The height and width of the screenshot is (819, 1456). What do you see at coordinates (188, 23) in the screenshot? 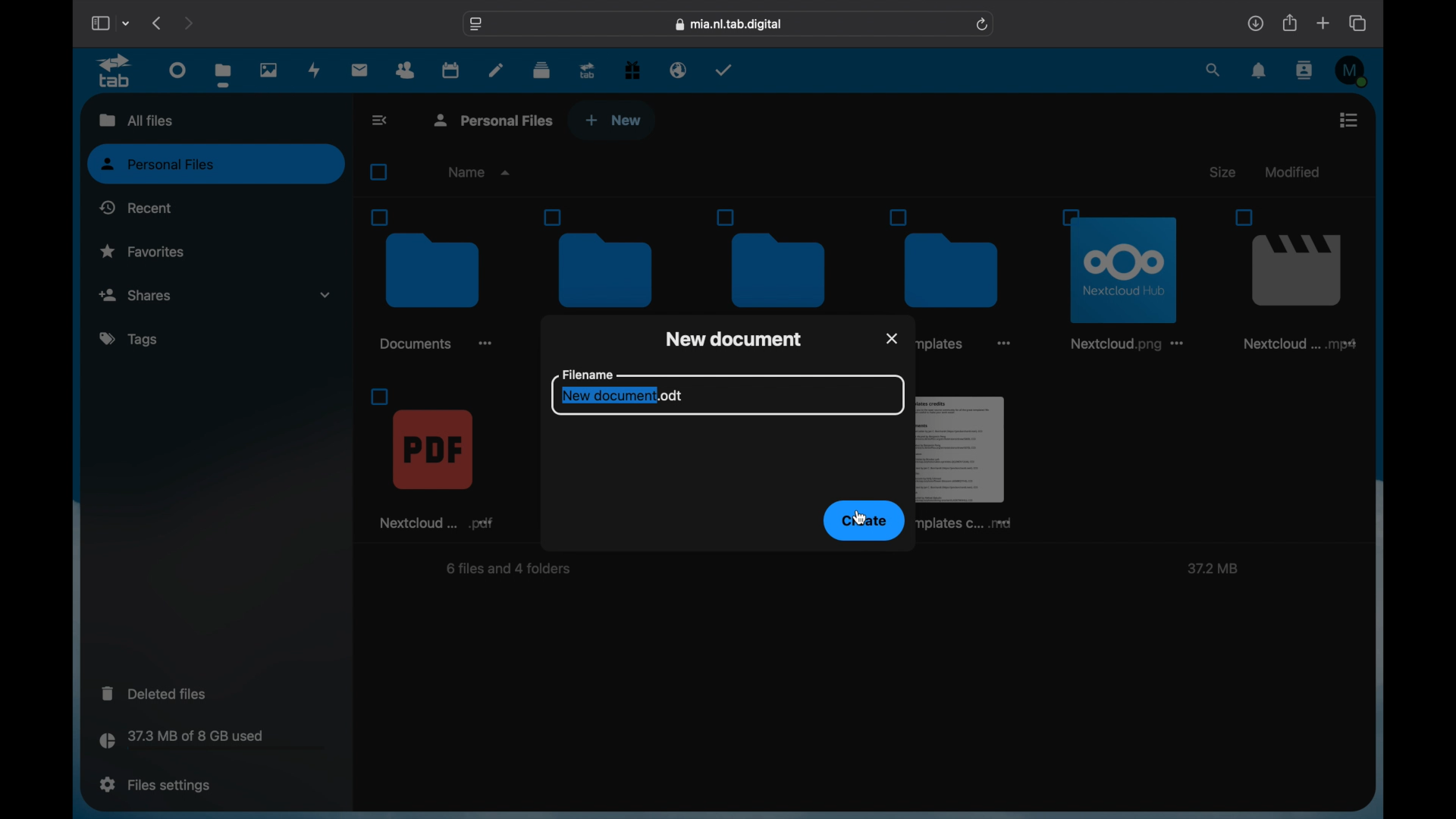
I see `next` at bounding box center [188, 23].